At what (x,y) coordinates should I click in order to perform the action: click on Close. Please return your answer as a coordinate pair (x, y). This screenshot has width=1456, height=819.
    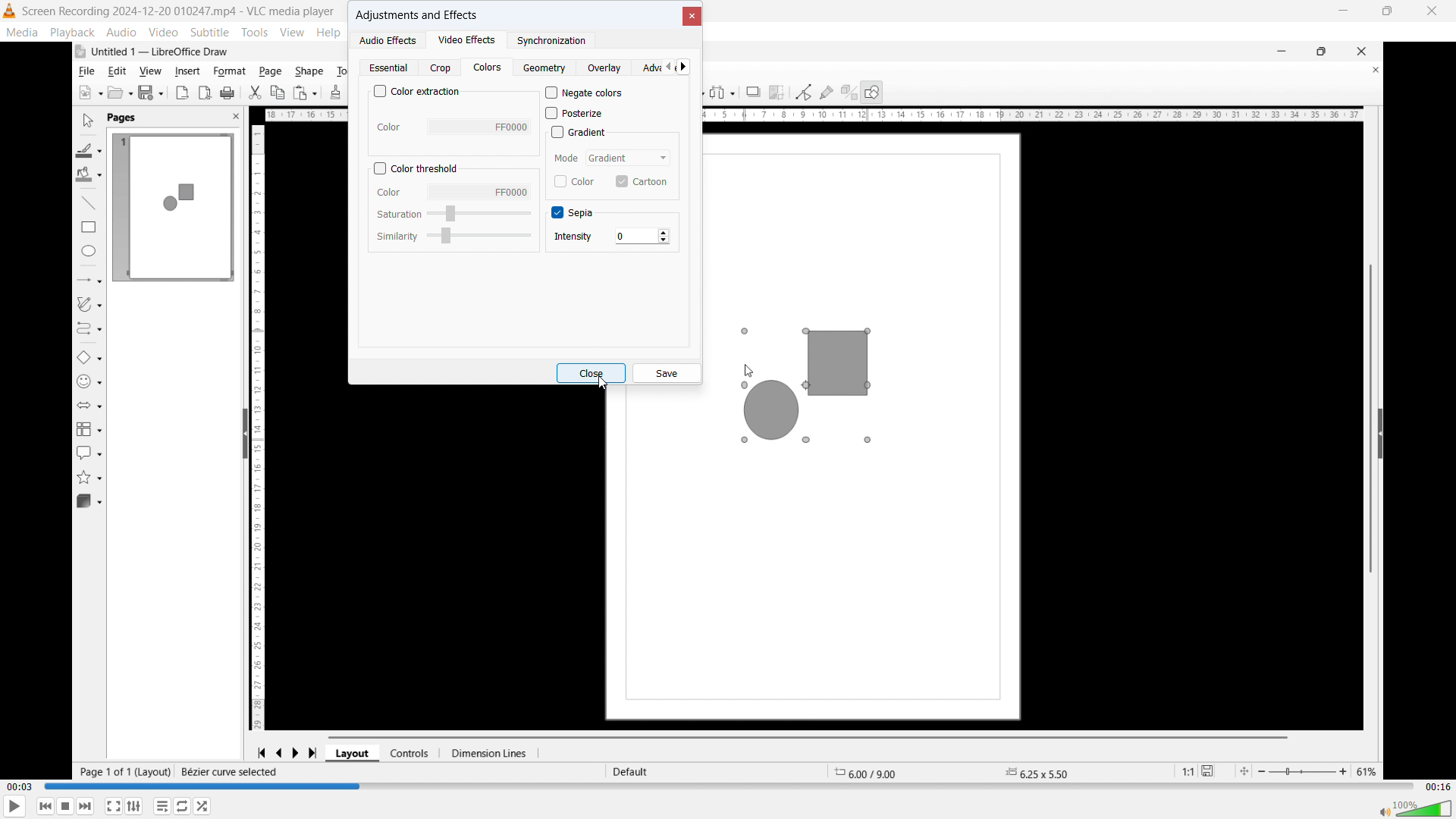
    Looking at the image, I should click on (1435, 11).